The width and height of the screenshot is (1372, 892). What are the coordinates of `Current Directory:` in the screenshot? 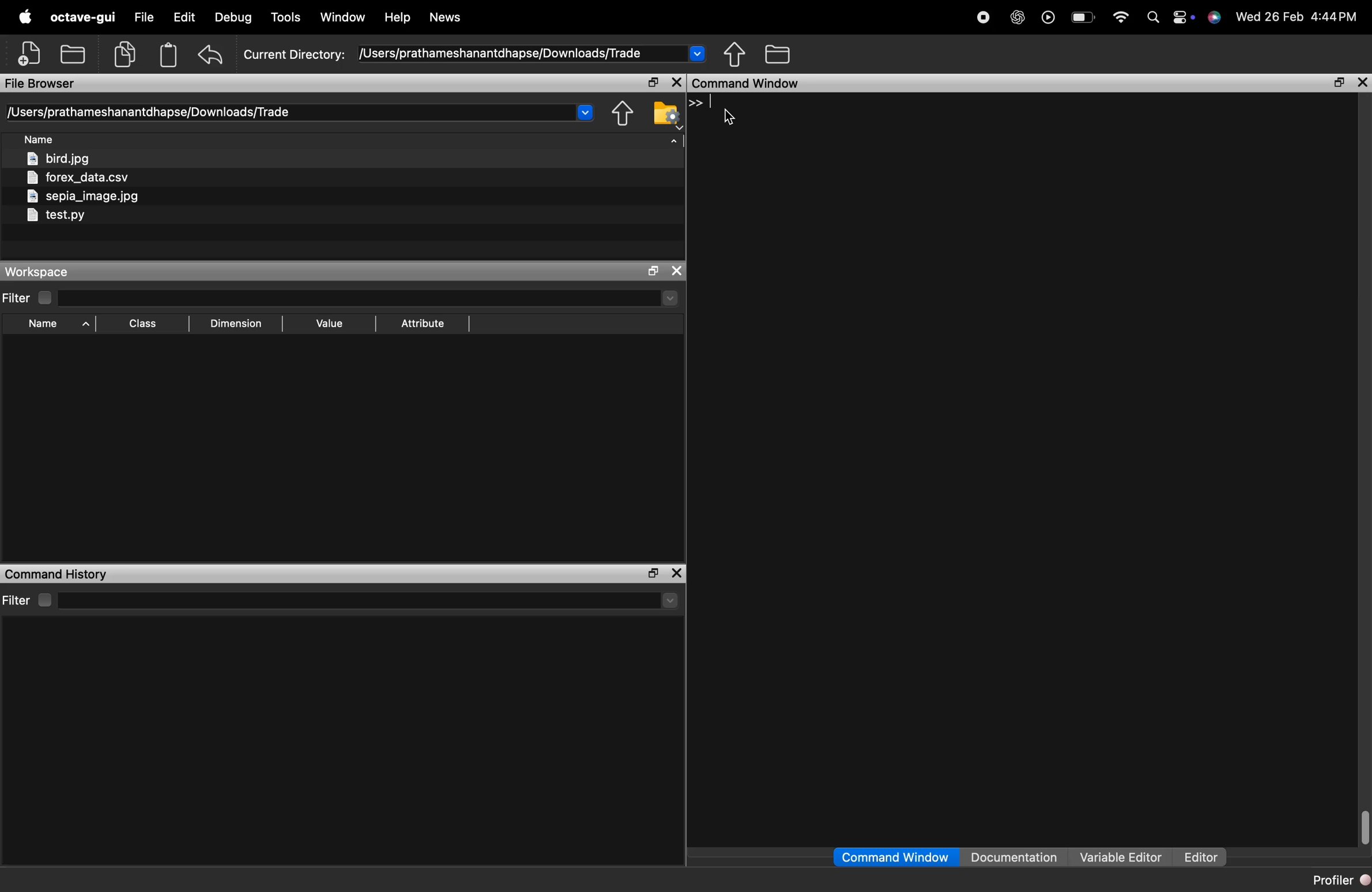 It's located at (296, 56).